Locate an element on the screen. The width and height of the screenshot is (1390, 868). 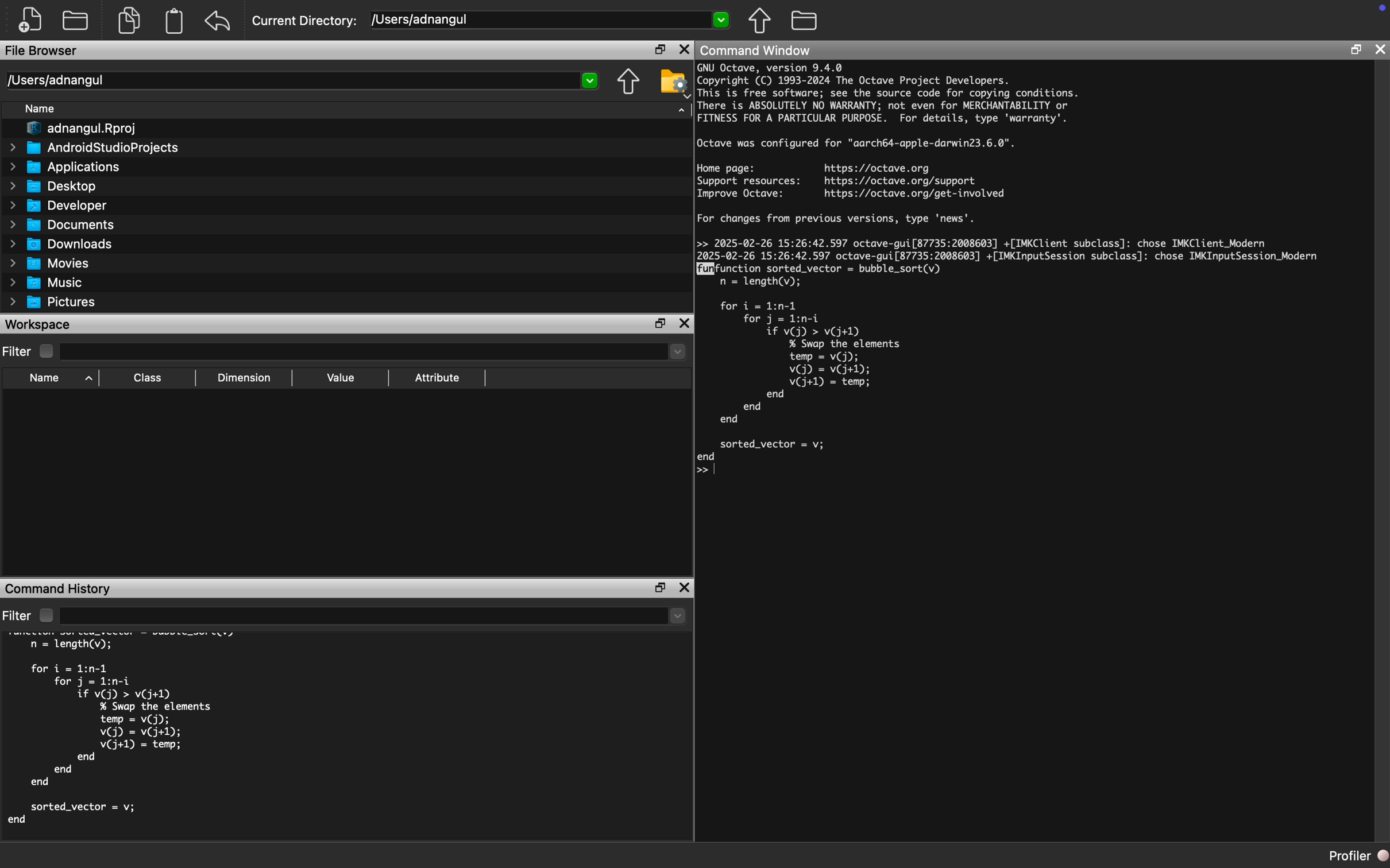
Close is located at coordinates (684, 325).